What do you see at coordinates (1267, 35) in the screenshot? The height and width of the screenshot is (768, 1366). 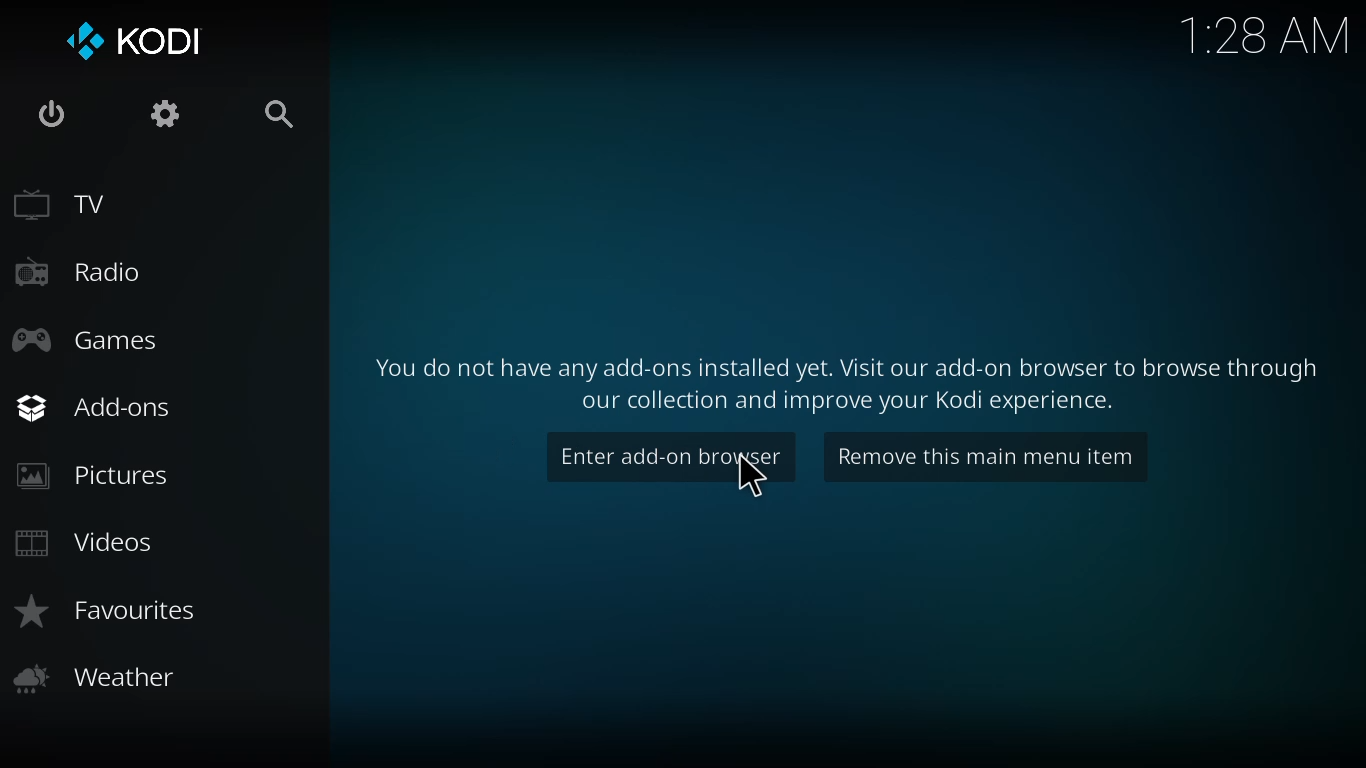 I see `time` at bounding box center [1267, 35].